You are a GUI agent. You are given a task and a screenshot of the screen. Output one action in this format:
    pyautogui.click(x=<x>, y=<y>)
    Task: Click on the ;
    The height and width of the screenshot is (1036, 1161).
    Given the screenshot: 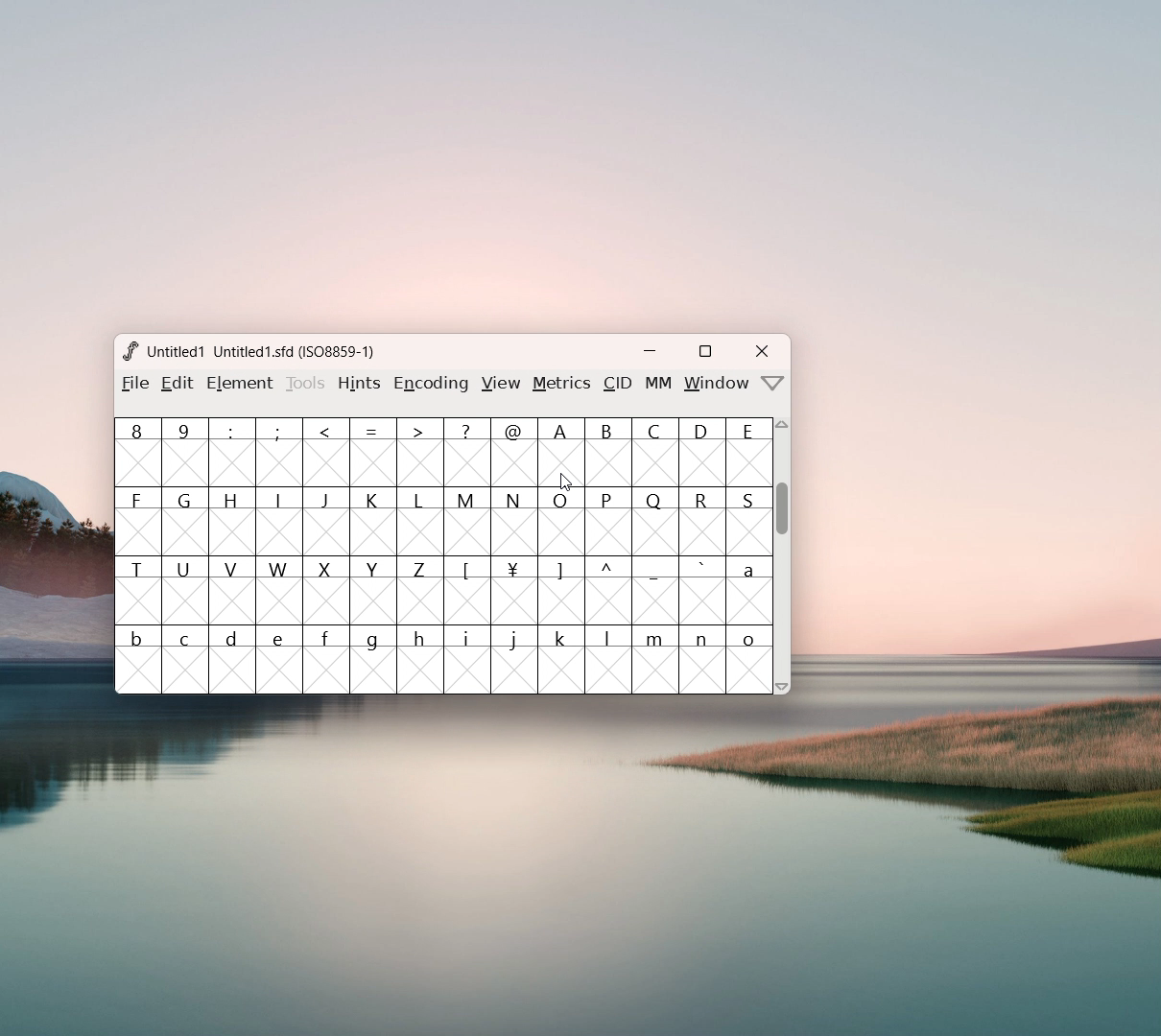 What is the action you would take?
    pyautogui.click(x=281, y=452)
    